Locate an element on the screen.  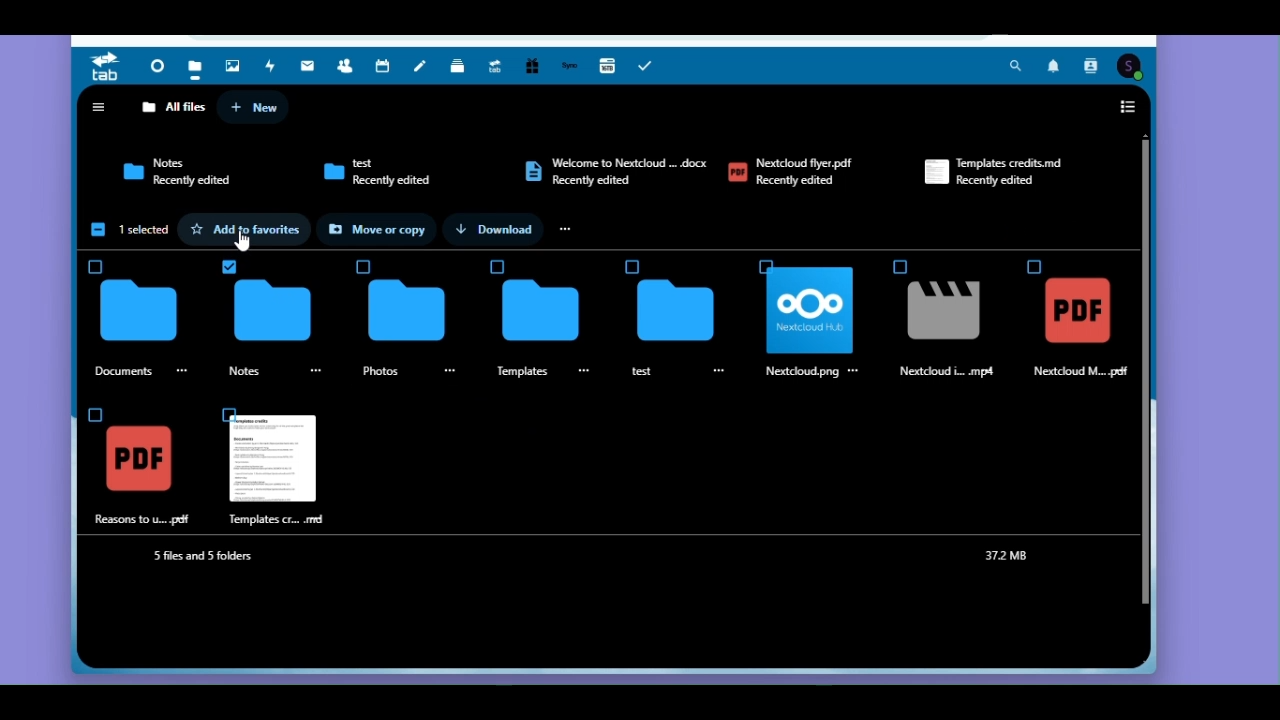
Deck is located at coordinates (456, 66).